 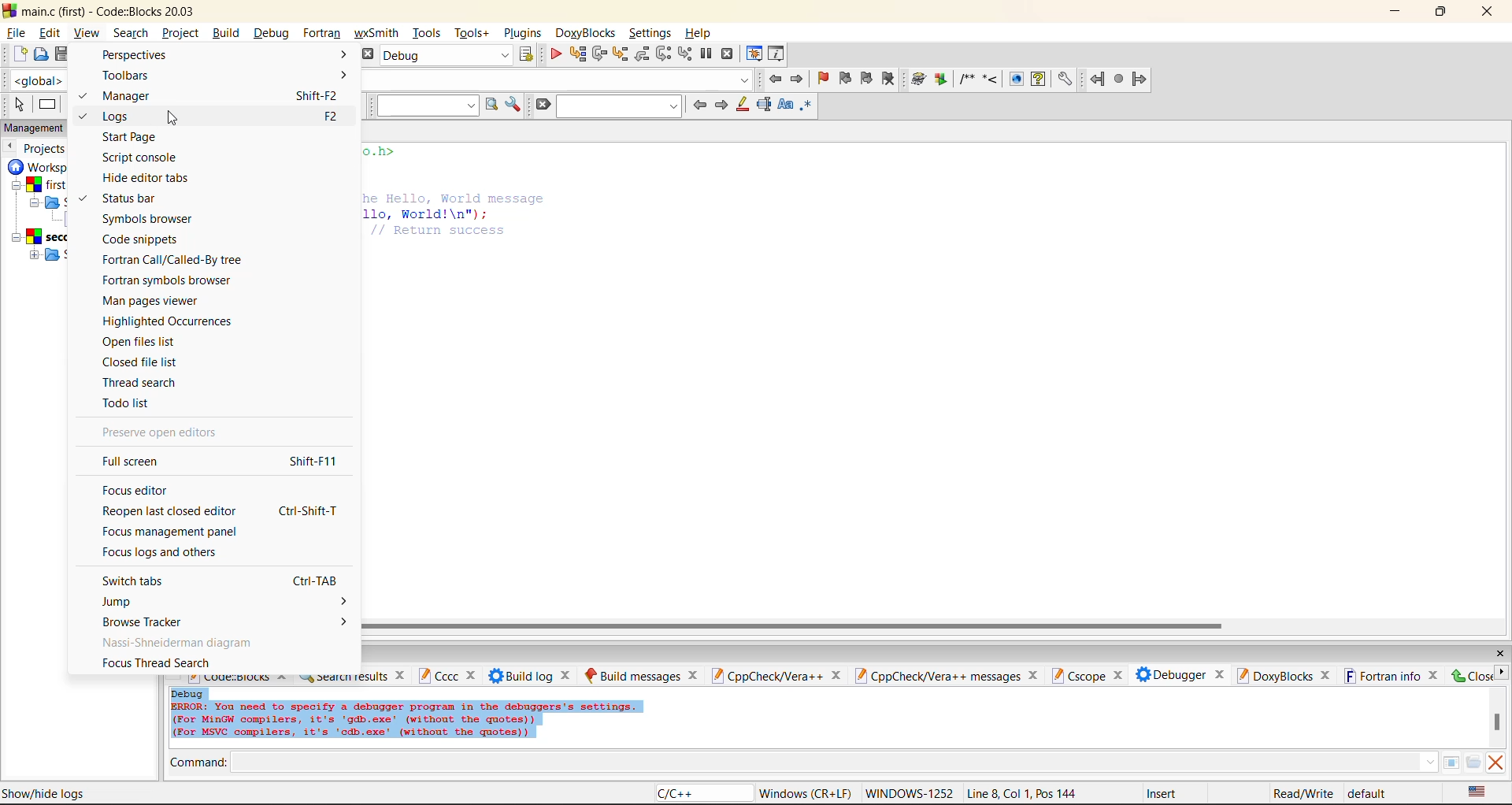 I want to click on next, so click(x=722, y=106).